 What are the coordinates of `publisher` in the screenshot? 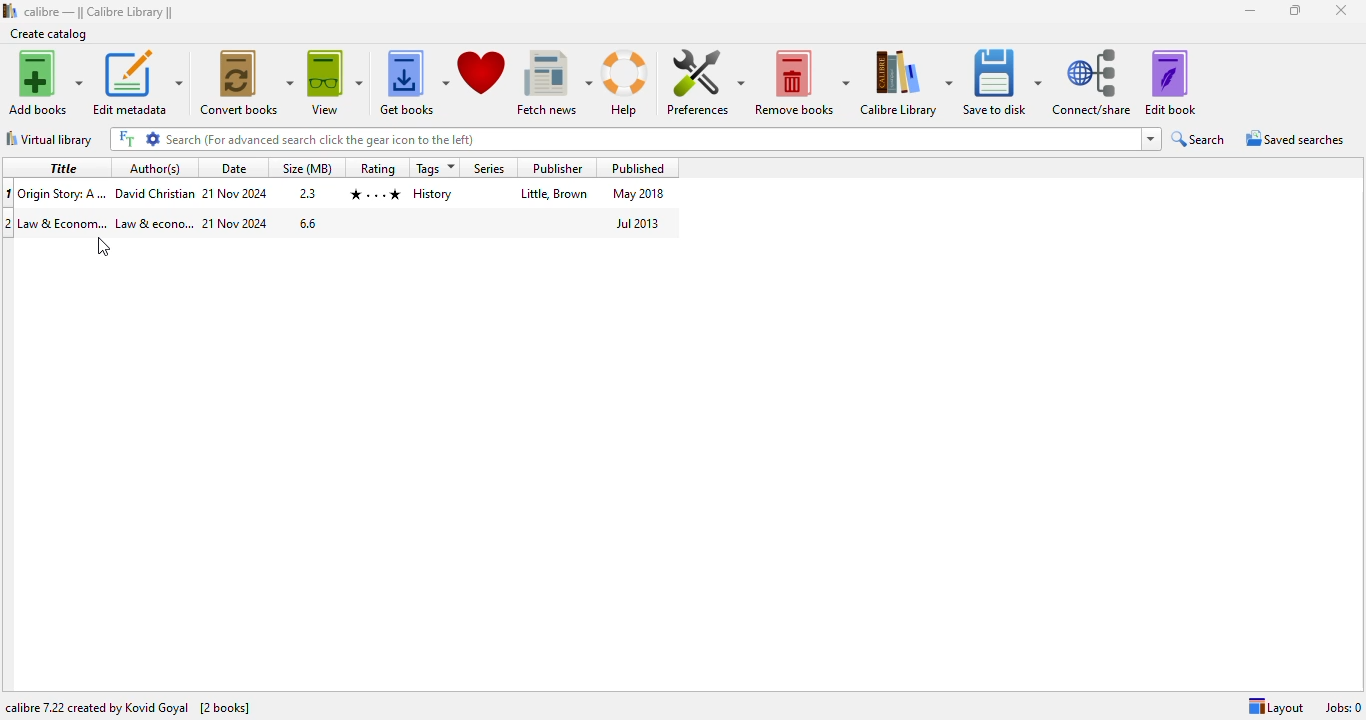 It's located at (554, 195).